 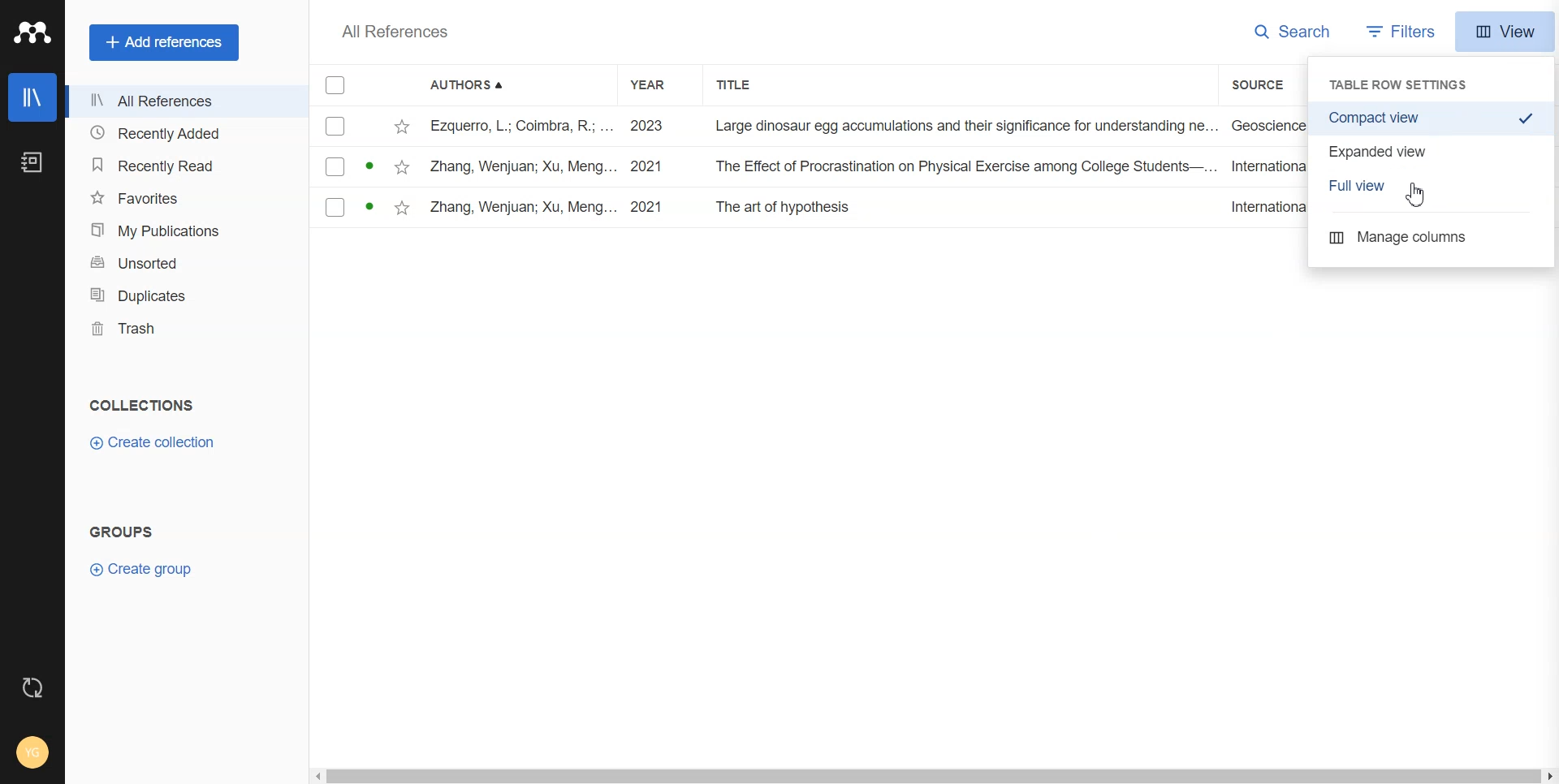 I want to click on Text, so click(x=126, y=532).